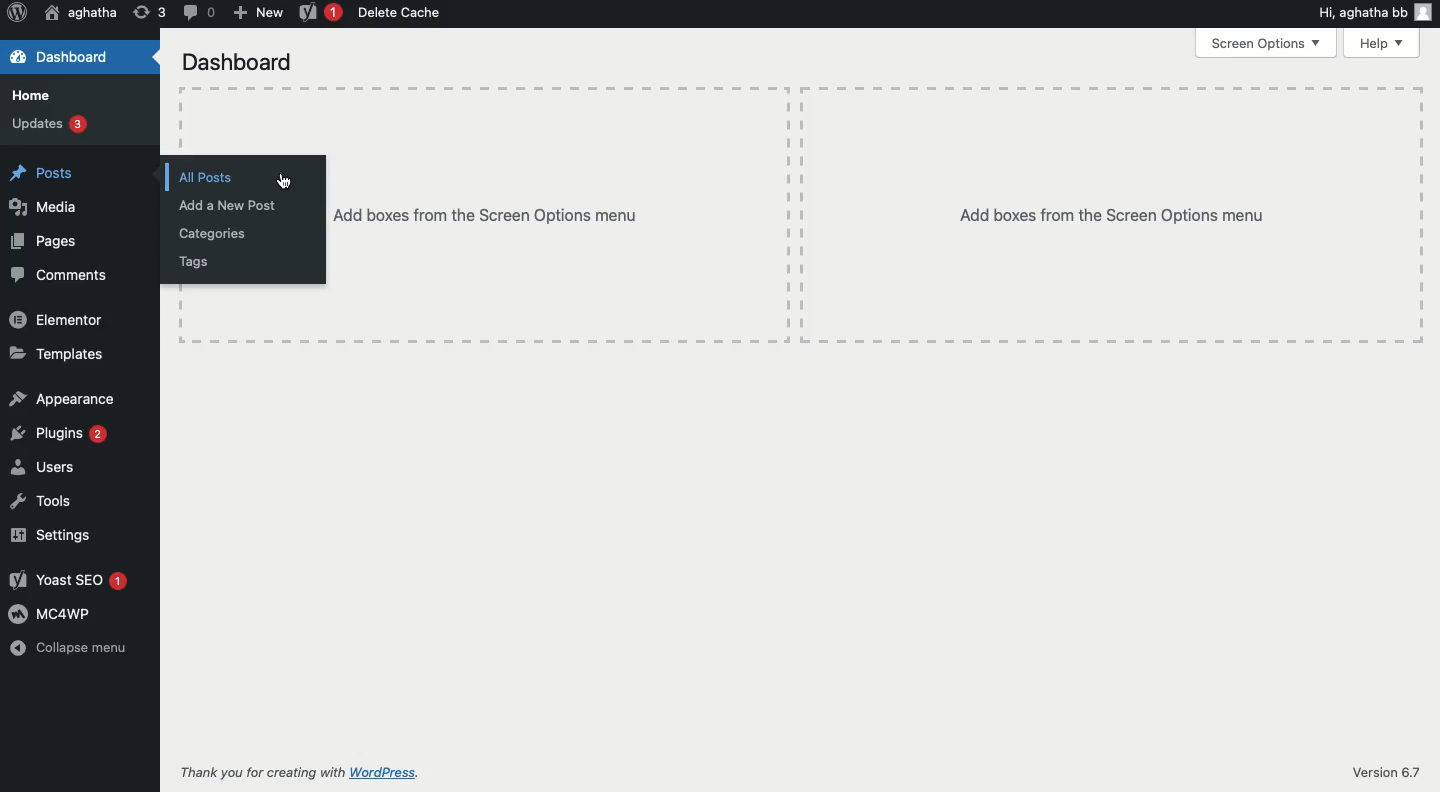 Image resolution: width=1440 pixels, height=792 pixels. I want to click on Home, so click(28, 95).